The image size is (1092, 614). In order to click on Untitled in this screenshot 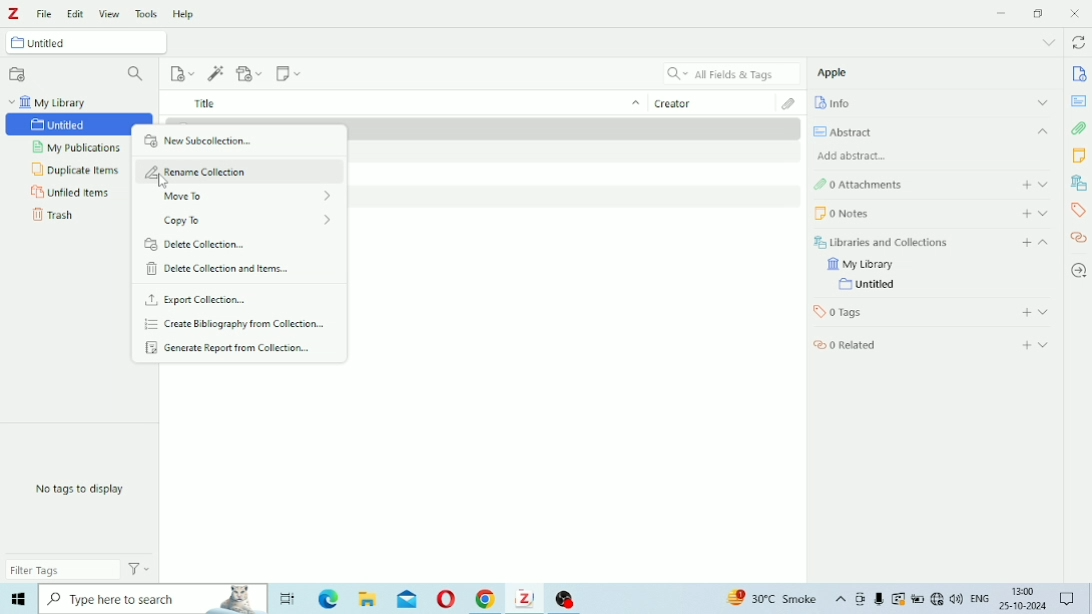, I will do `click(64, 125)`.